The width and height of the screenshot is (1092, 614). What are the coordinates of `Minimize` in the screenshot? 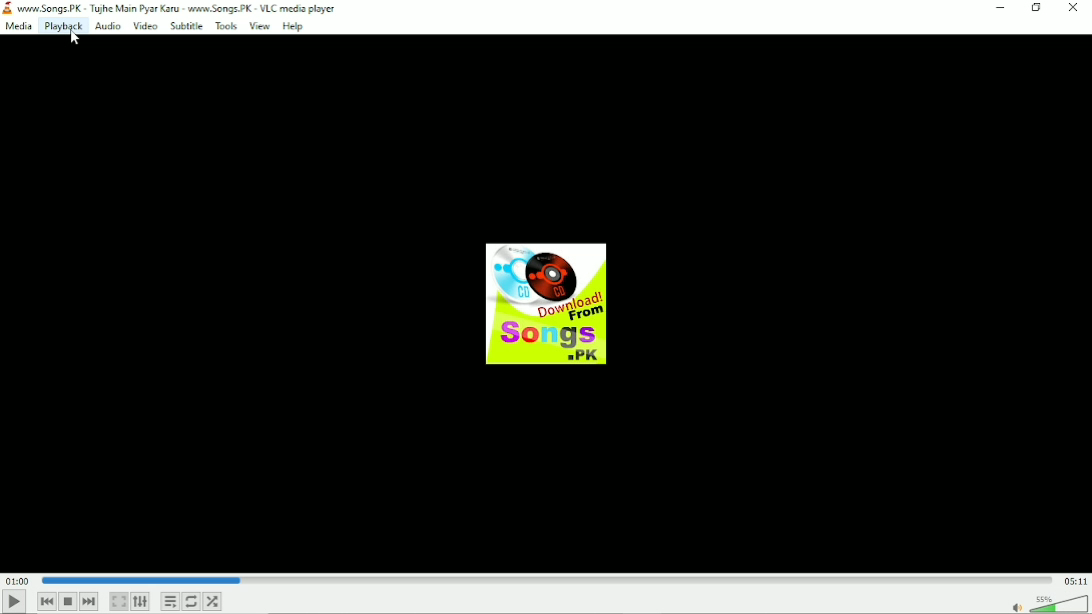 It's located at (1002, 8).